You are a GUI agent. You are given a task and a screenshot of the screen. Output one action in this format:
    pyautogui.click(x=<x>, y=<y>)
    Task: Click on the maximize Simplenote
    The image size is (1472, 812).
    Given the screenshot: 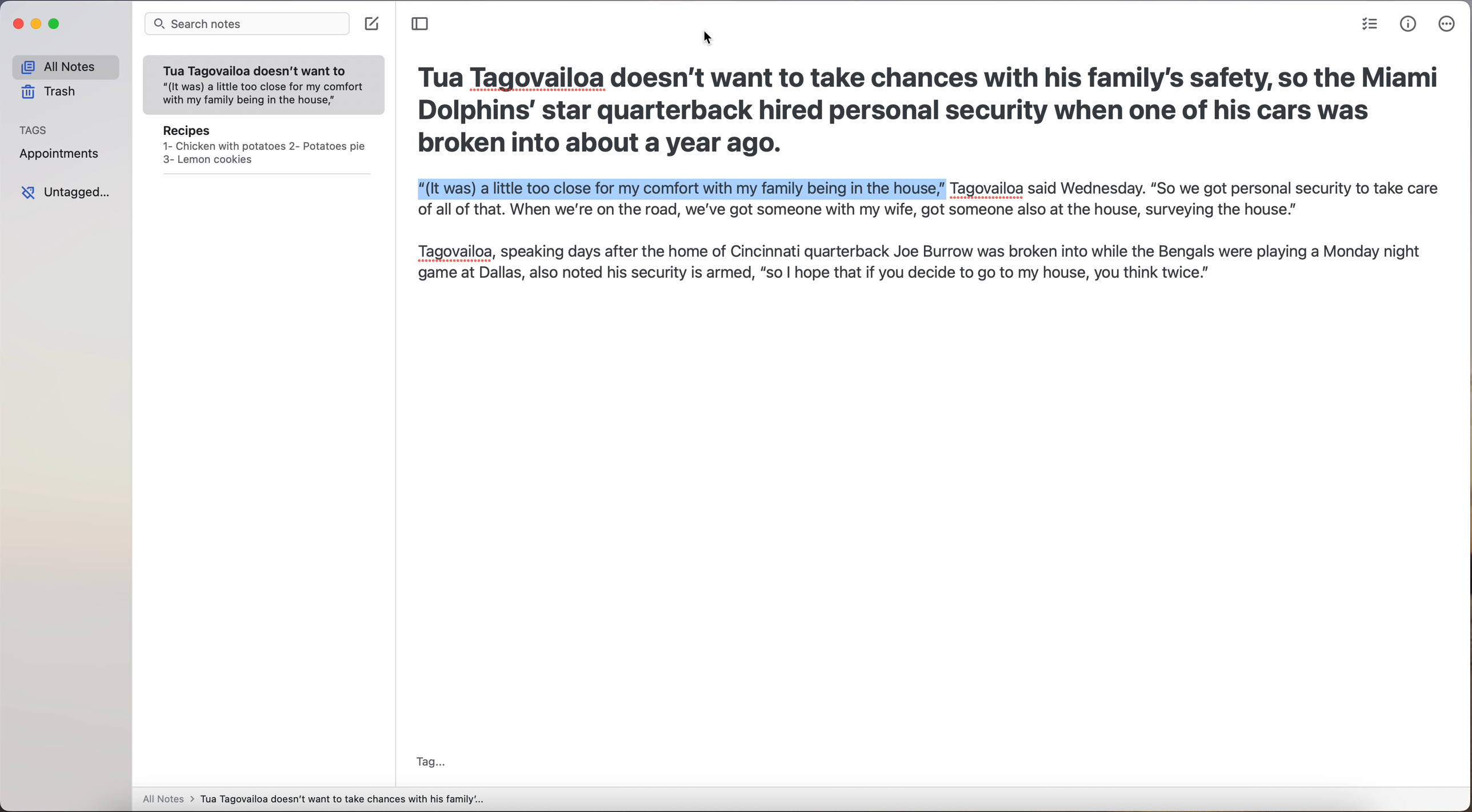 What is the action you would take?
    pyautogui.click(x=54, y=23)
    